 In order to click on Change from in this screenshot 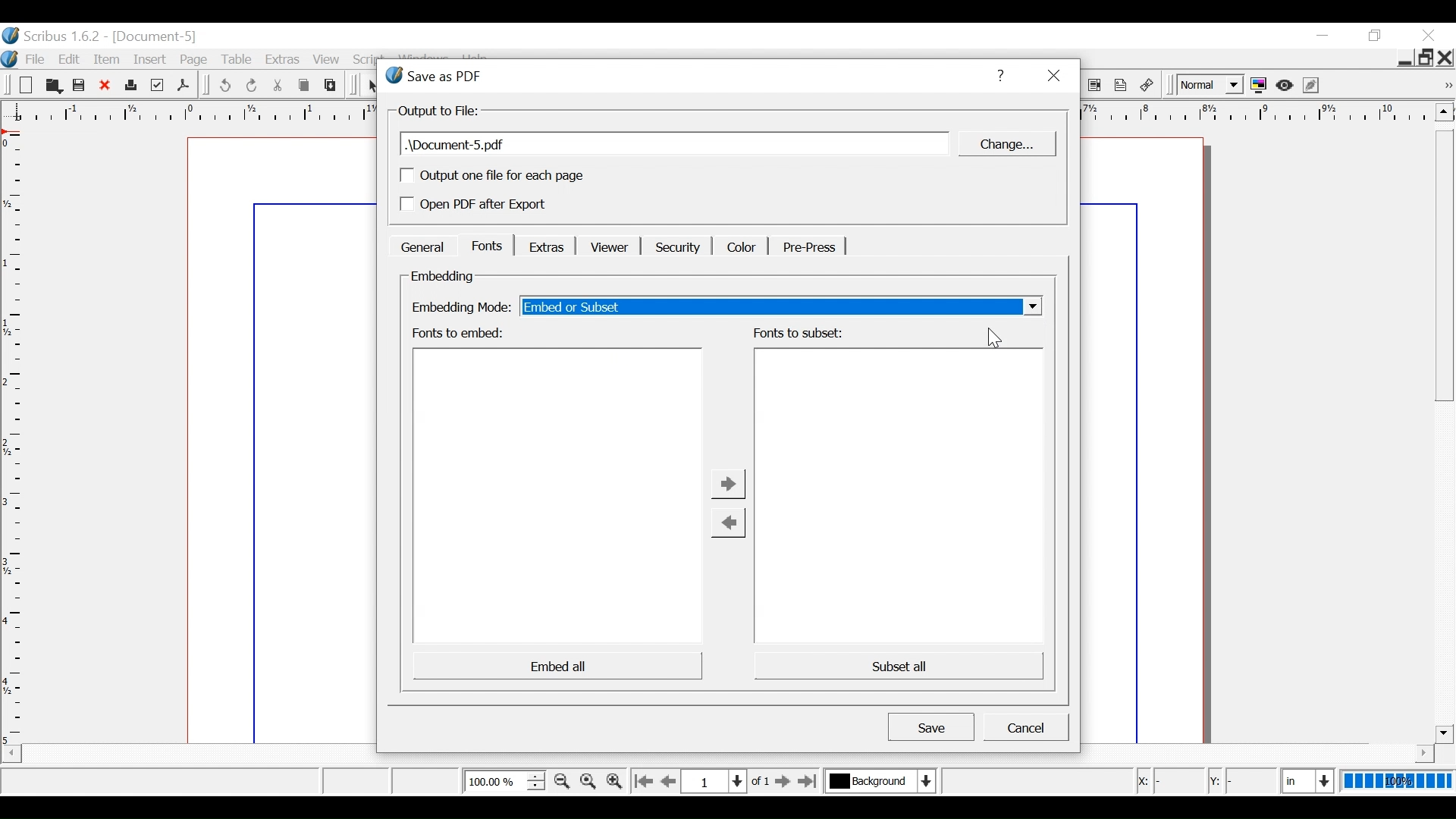, I will do `click(727, 522)`.